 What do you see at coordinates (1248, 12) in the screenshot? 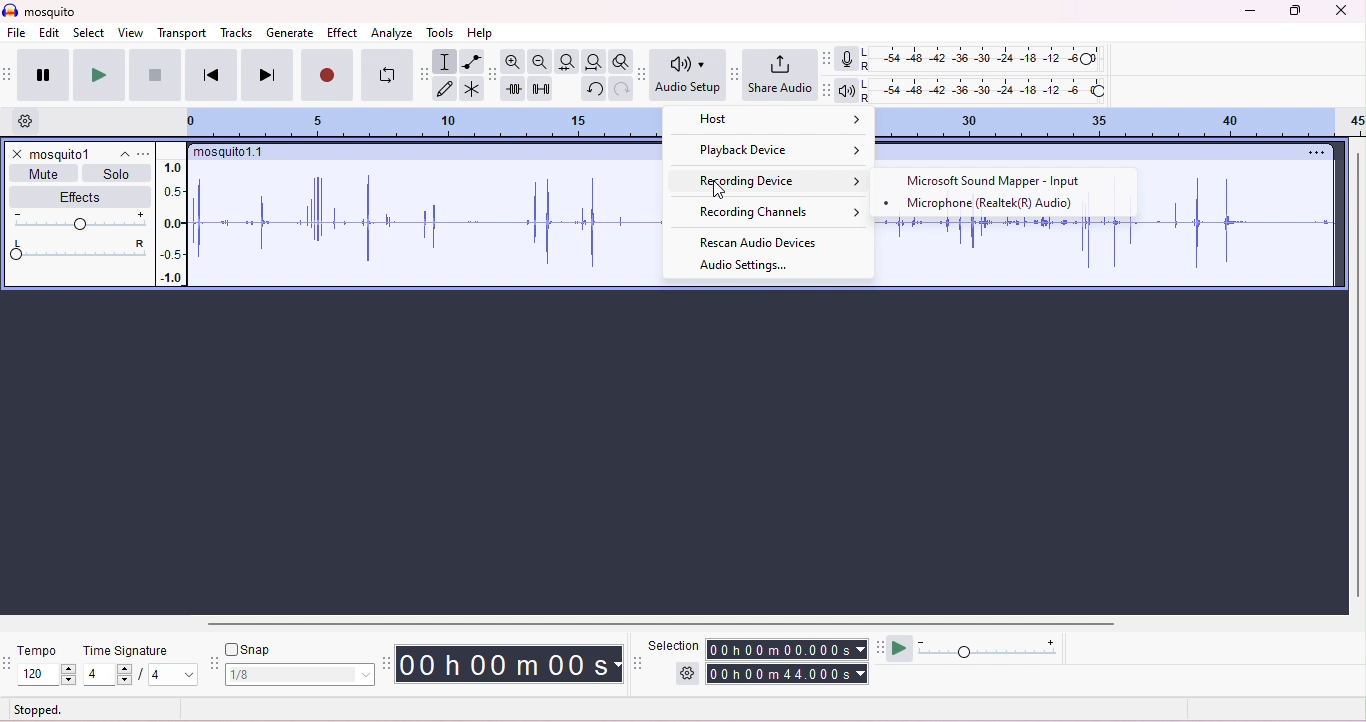
I see `minimize` at bounding box center [1248, 12].